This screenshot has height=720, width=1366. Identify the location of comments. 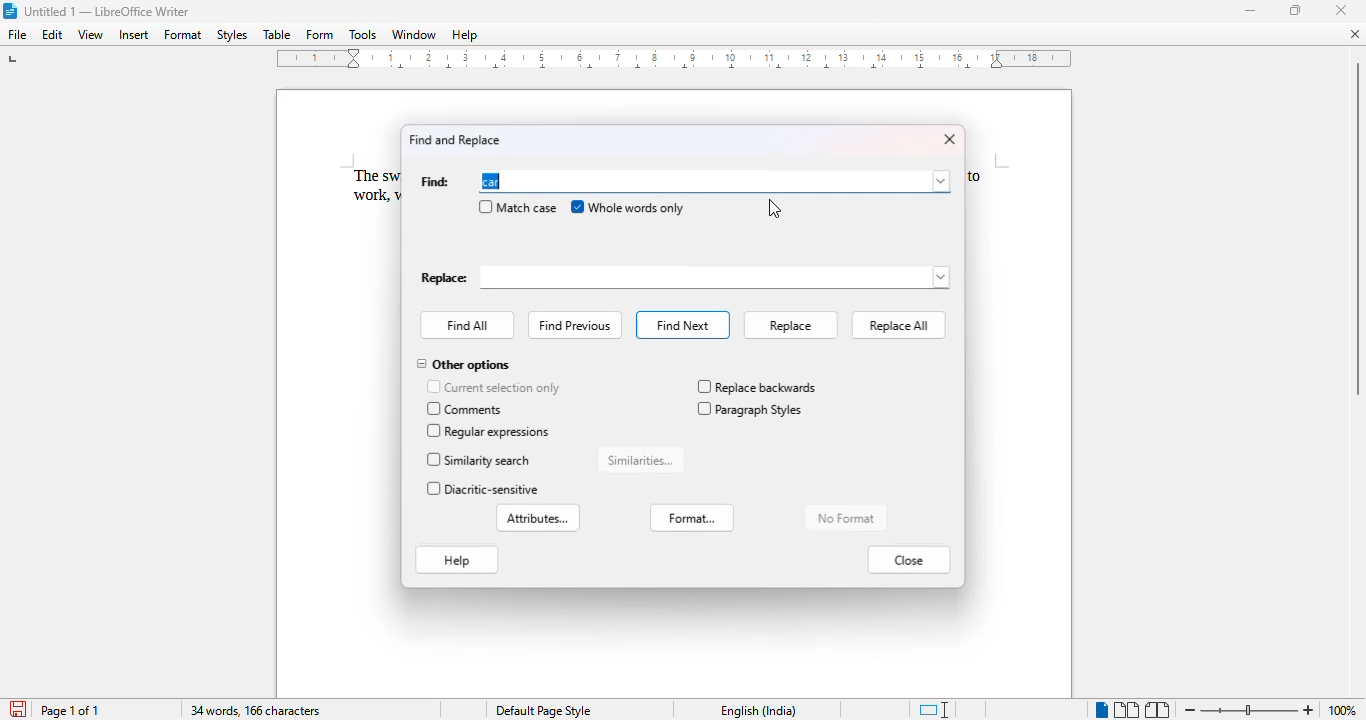
(467, 409).